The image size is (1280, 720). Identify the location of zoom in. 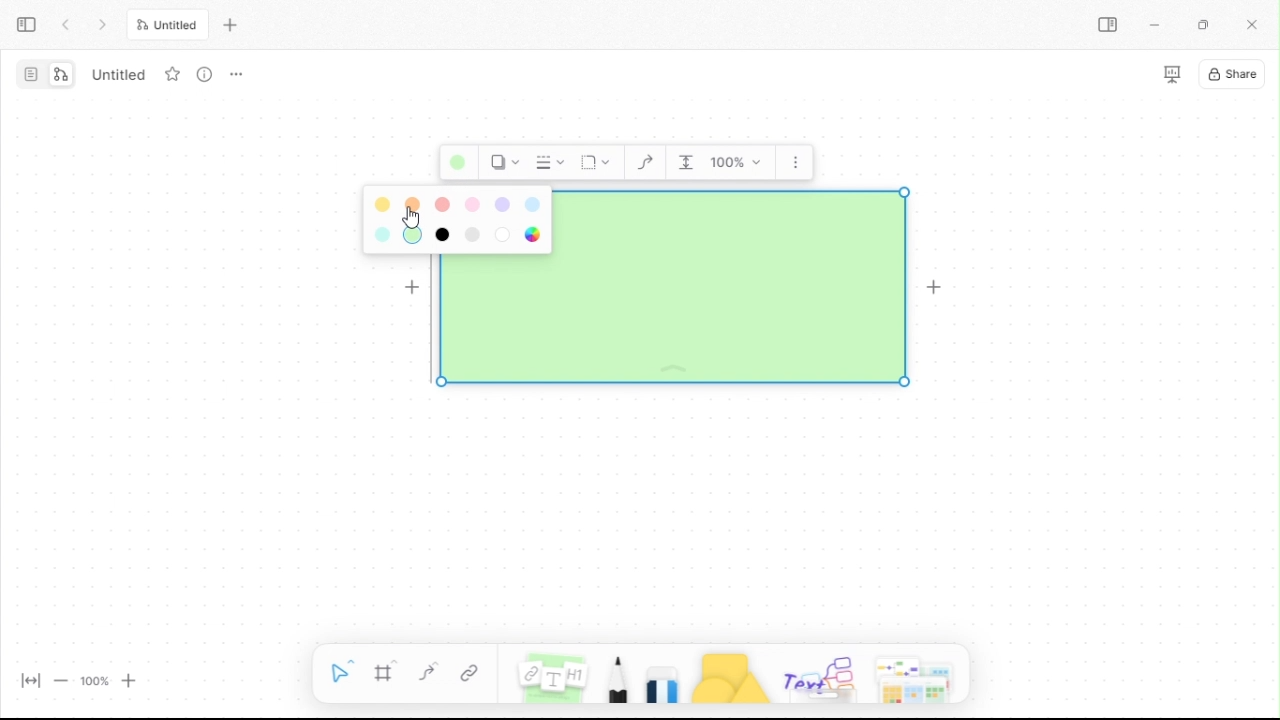
(130, 680).